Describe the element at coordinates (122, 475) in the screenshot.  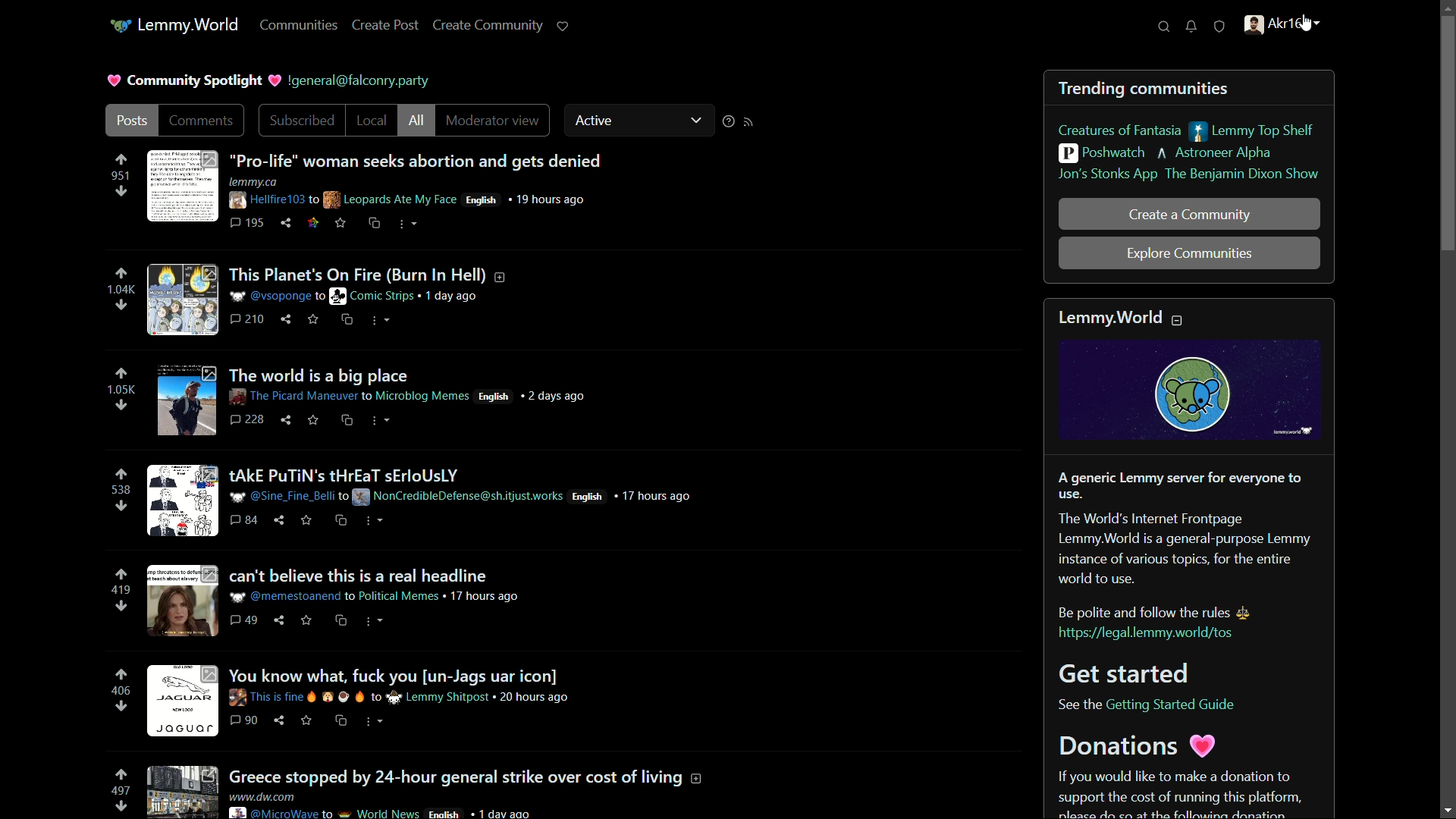
I see `upvote` at that location.